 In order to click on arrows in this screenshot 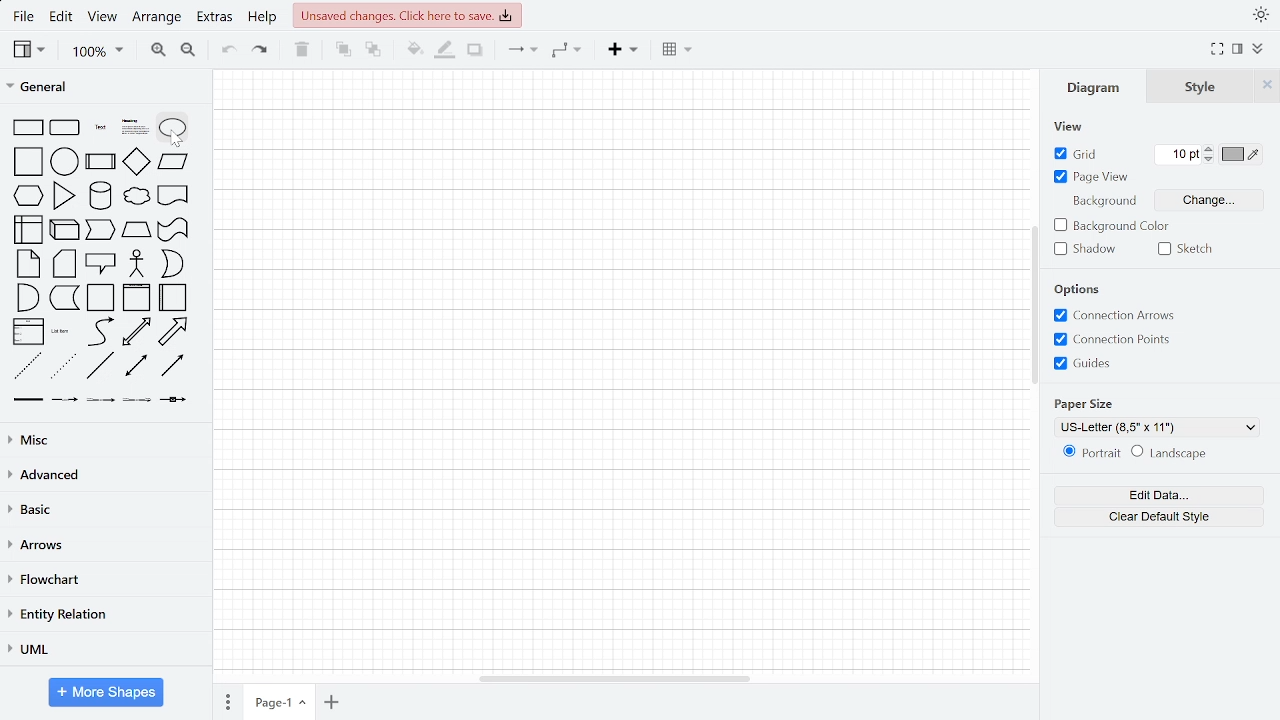, I will do `click(522, 50)`.